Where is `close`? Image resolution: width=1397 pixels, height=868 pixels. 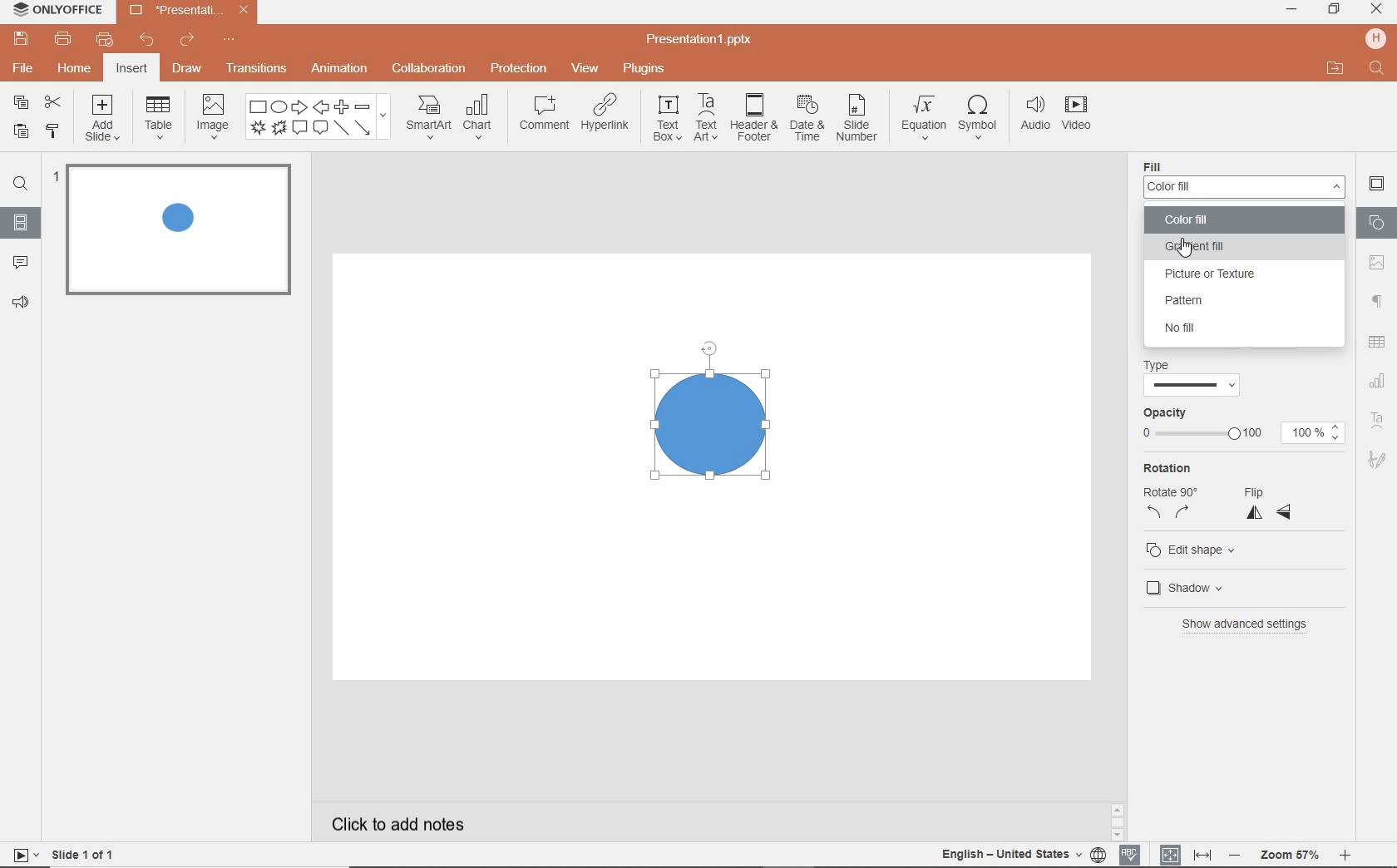
close is located at coordinates (1376, 11).